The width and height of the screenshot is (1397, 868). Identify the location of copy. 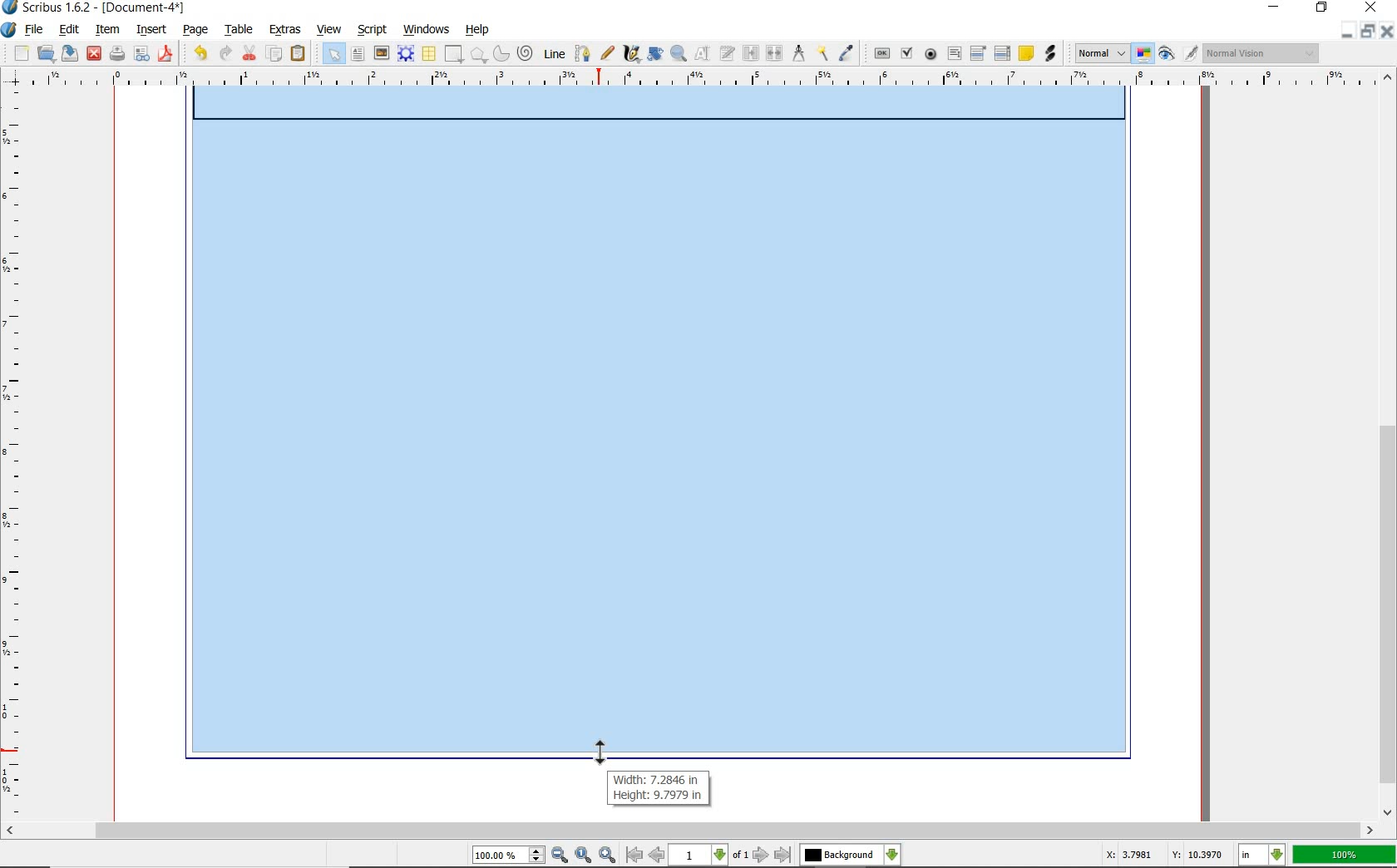
(275, 54).